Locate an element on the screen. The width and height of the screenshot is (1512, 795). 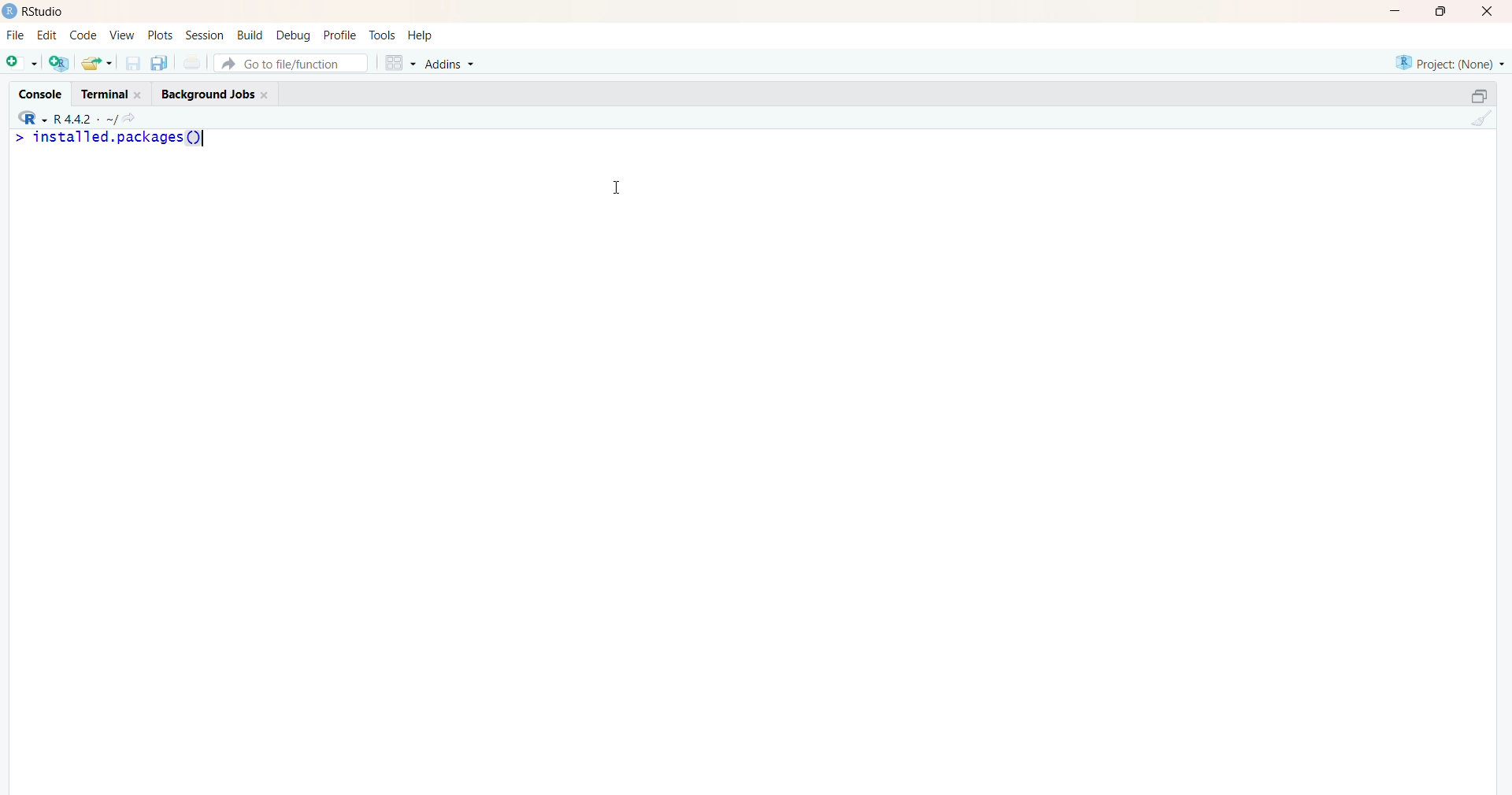
save all open documents is located at coordinates (159, 64).